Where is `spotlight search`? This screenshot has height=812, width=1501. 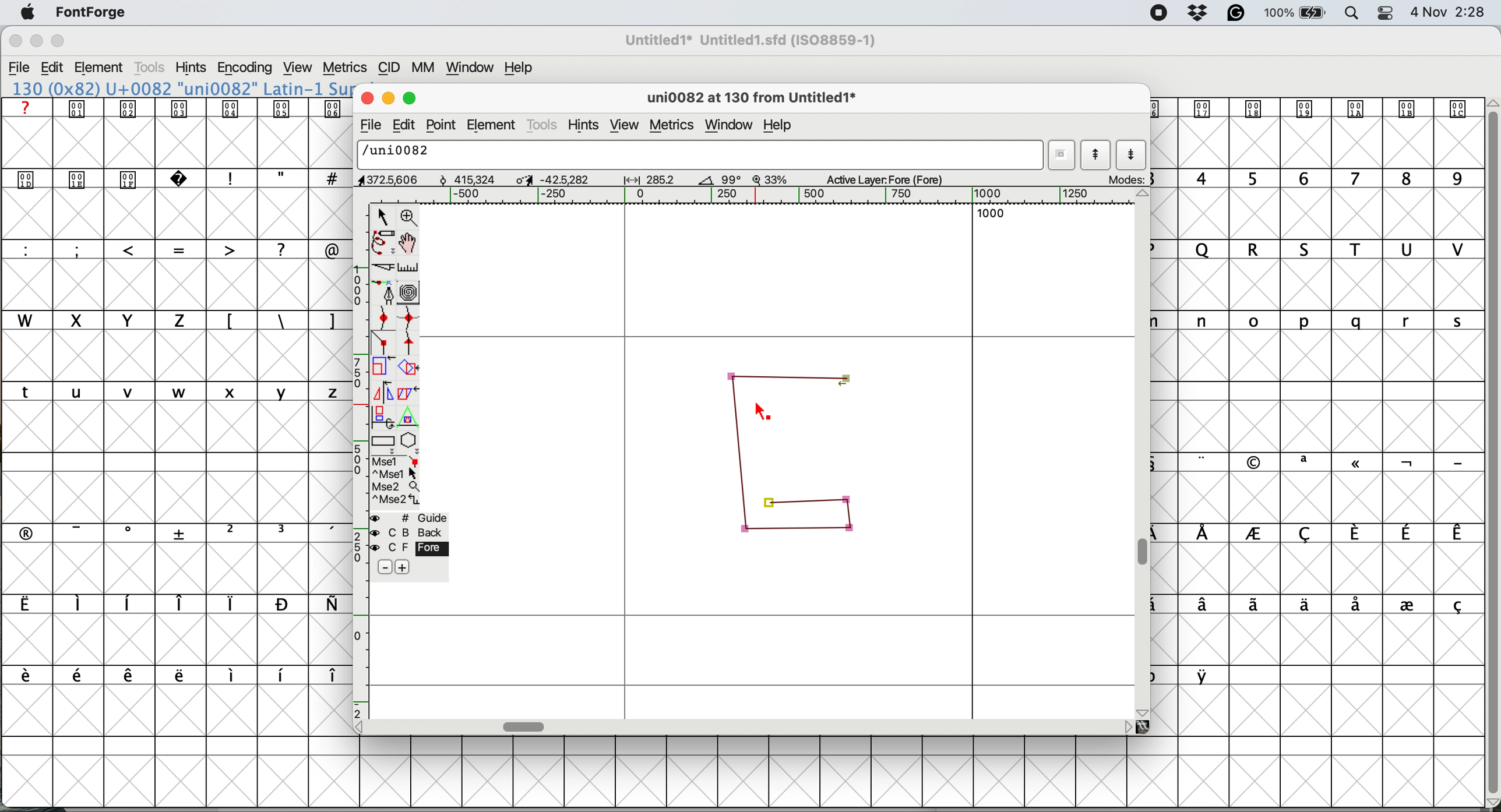 spotlight search is located at coordinates (1349, 15).